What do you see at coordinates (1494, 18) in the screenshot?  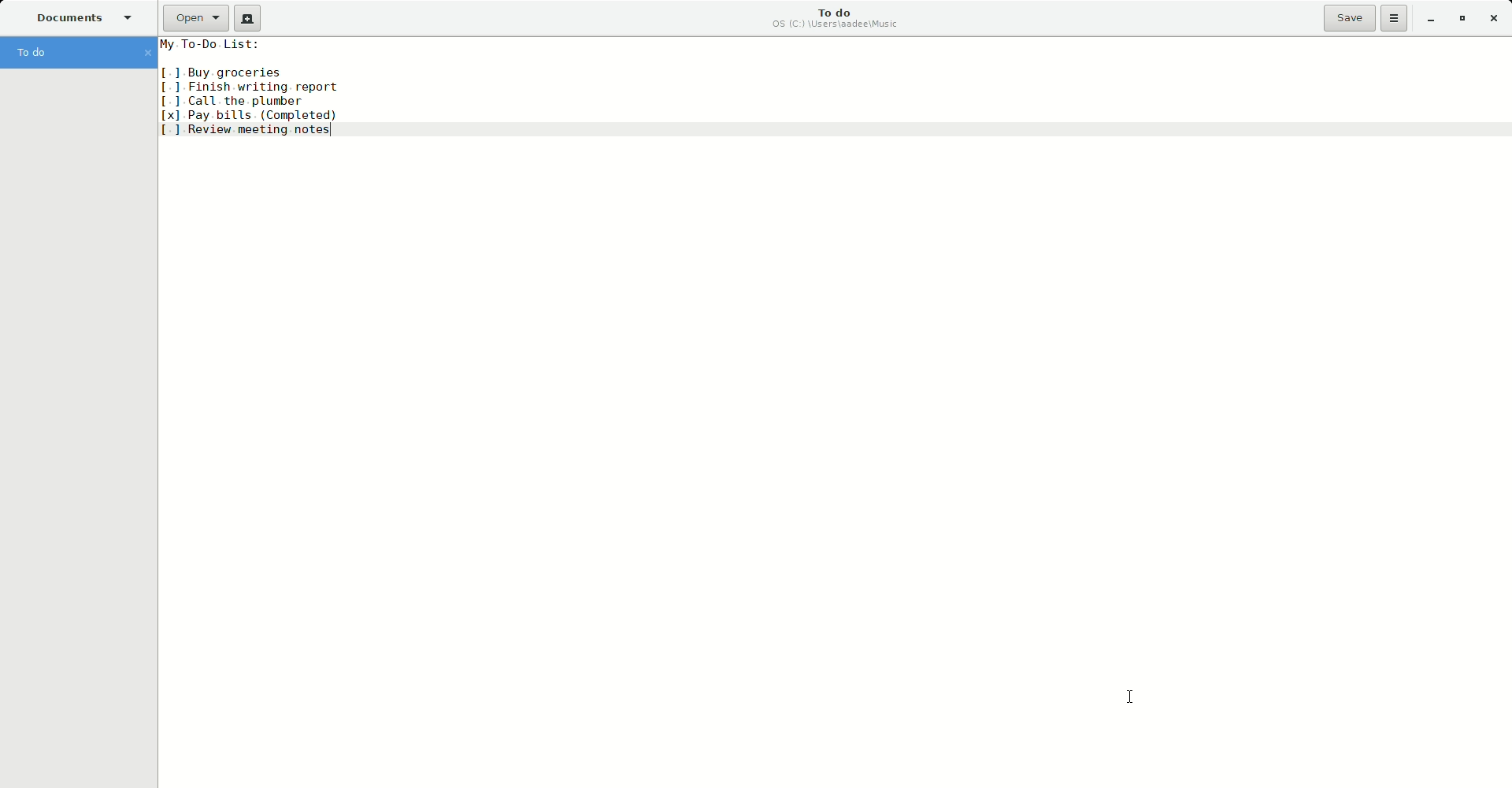 I see `Close` at bounding box center [1494, 18].